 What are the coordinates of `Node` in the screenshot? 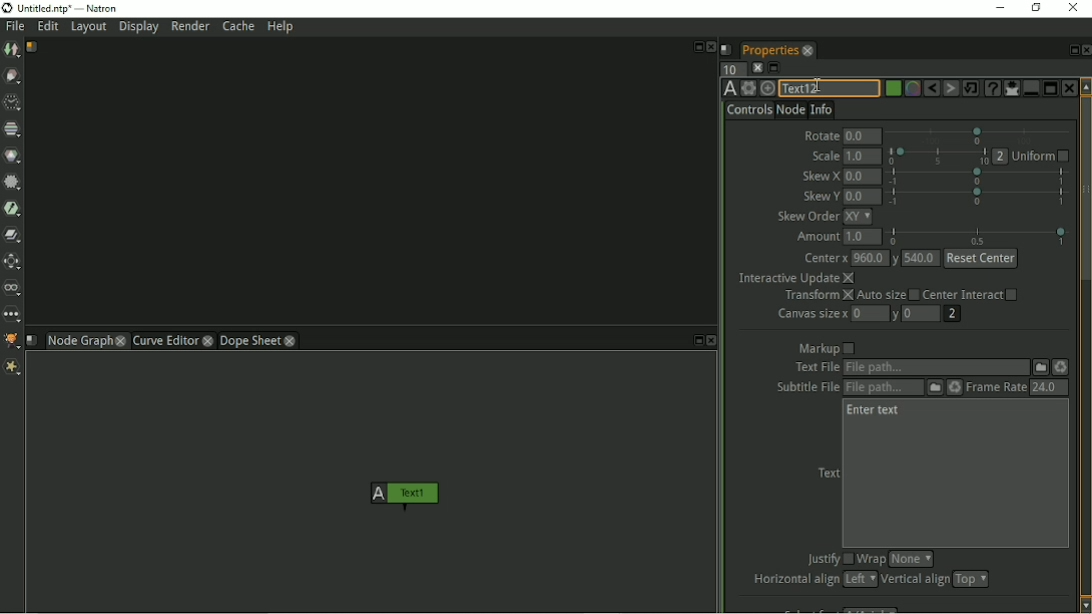 It's located at (790, 109).